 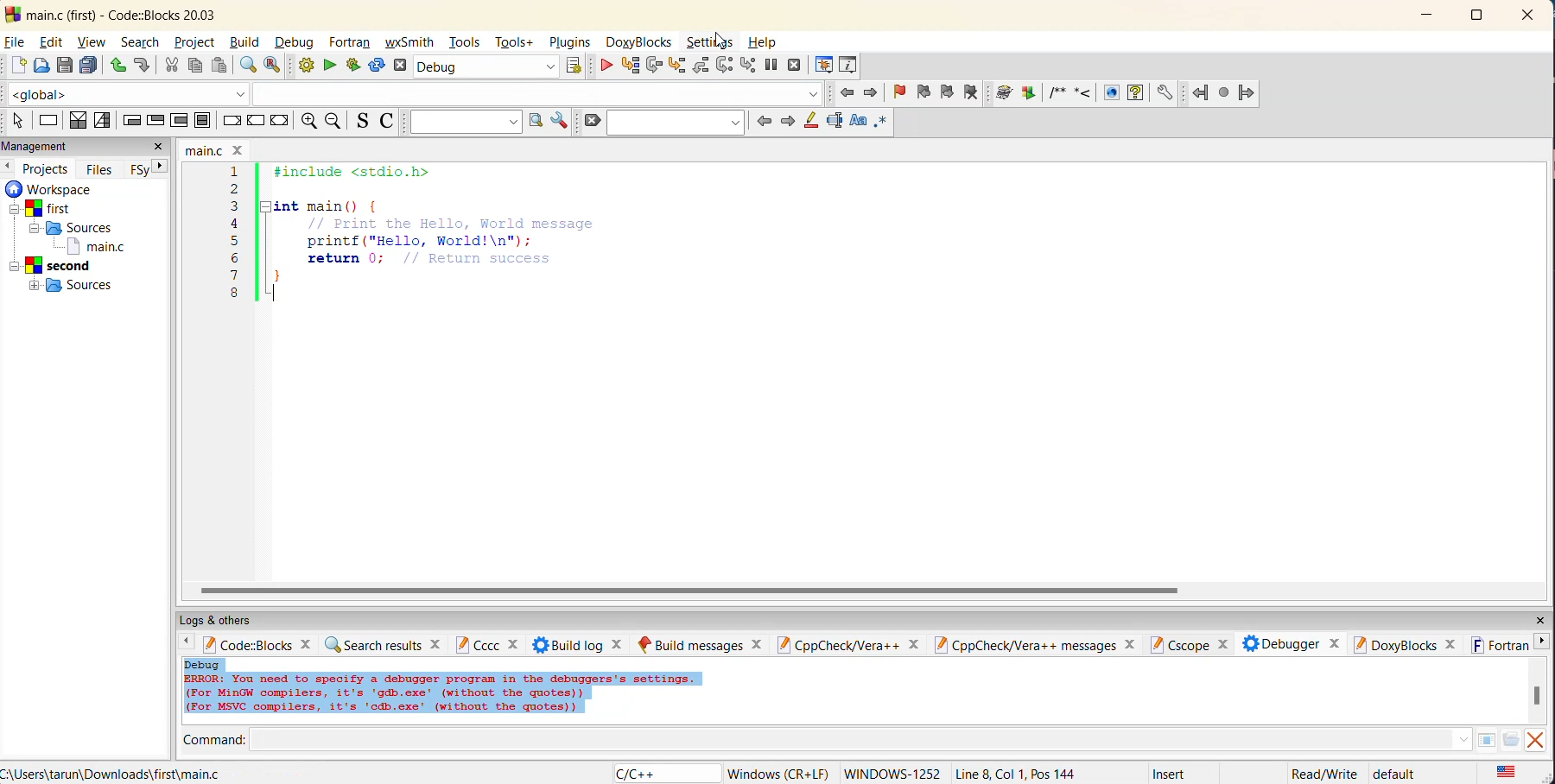 What do you see at coordinates (220, 66) in the screenshot?
I see `paste` at bounding box center [220, 66].